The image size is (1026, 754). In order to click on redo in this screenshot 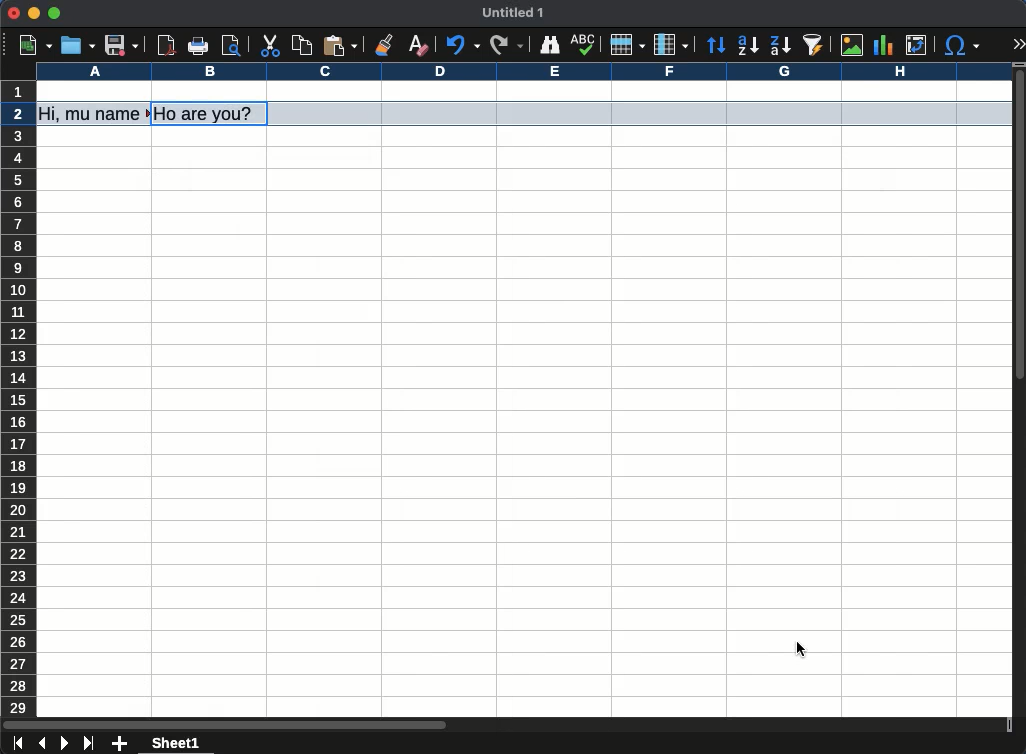, I will do `click(507, 46)`.